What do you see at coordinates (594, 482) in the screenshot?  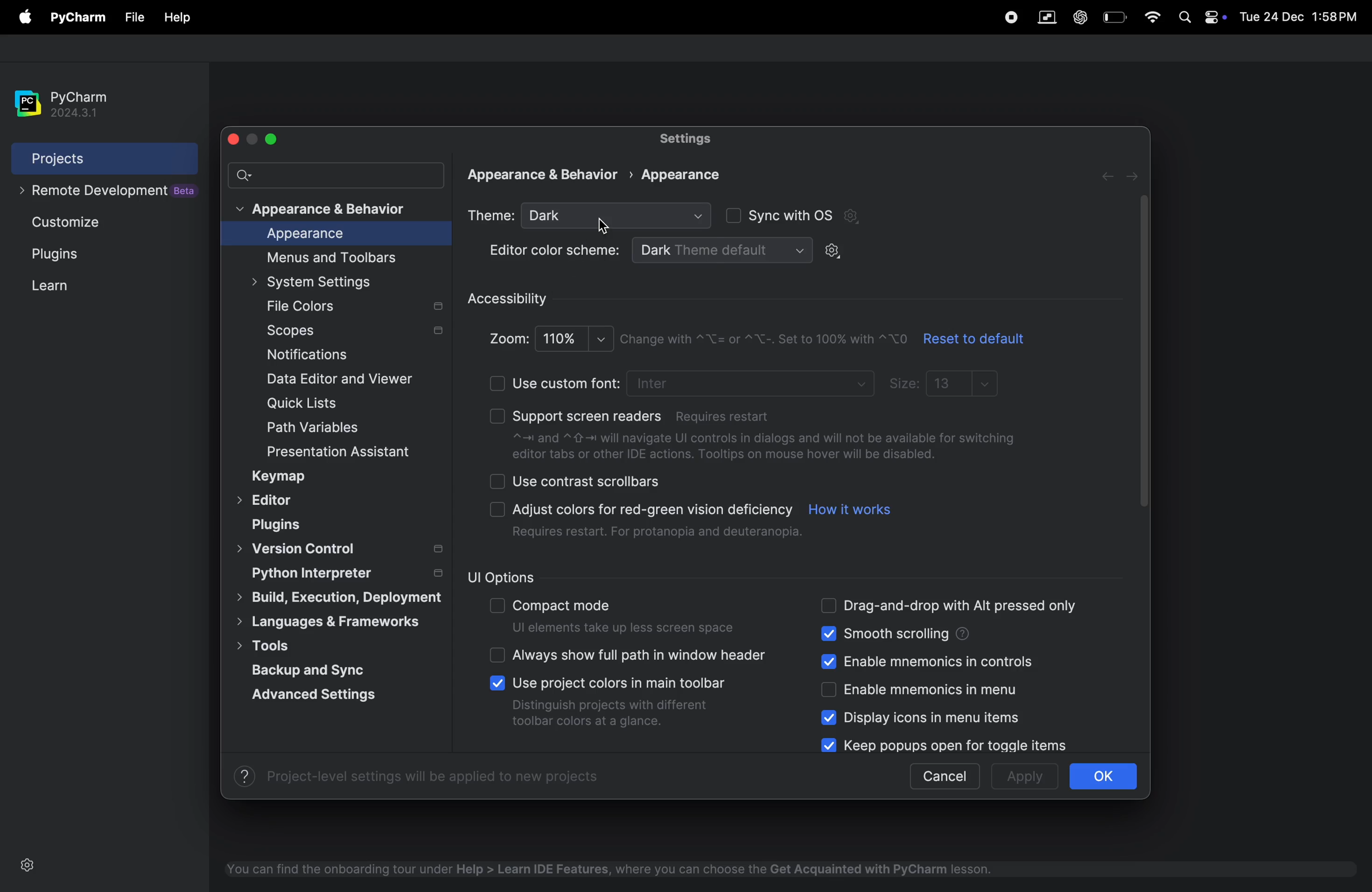 I see `use contrast scrollbar` at bounding box center [594, 482].